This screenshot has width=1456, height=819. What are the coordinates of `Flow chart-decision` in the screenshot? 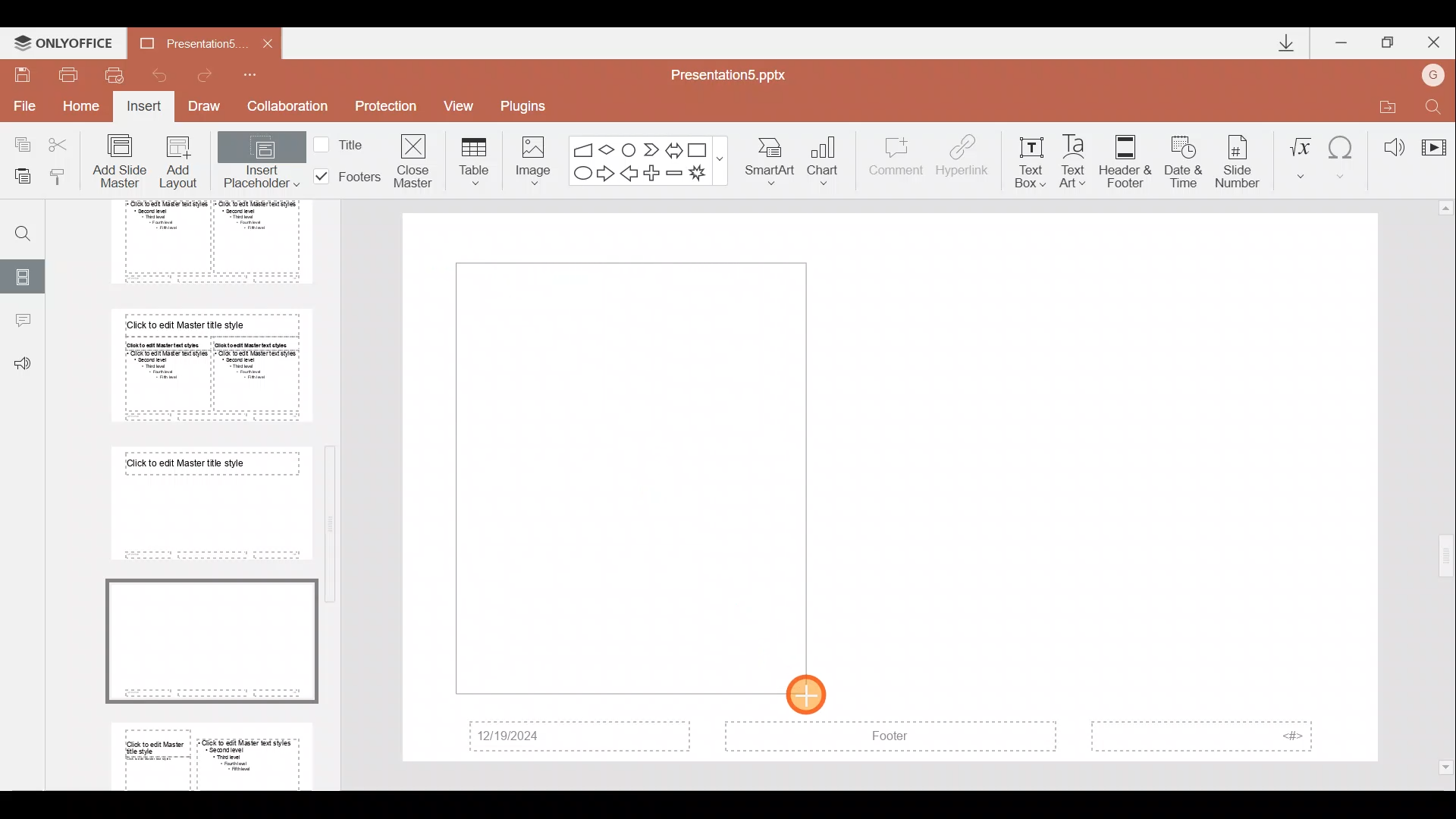 It's located at (609, 149).